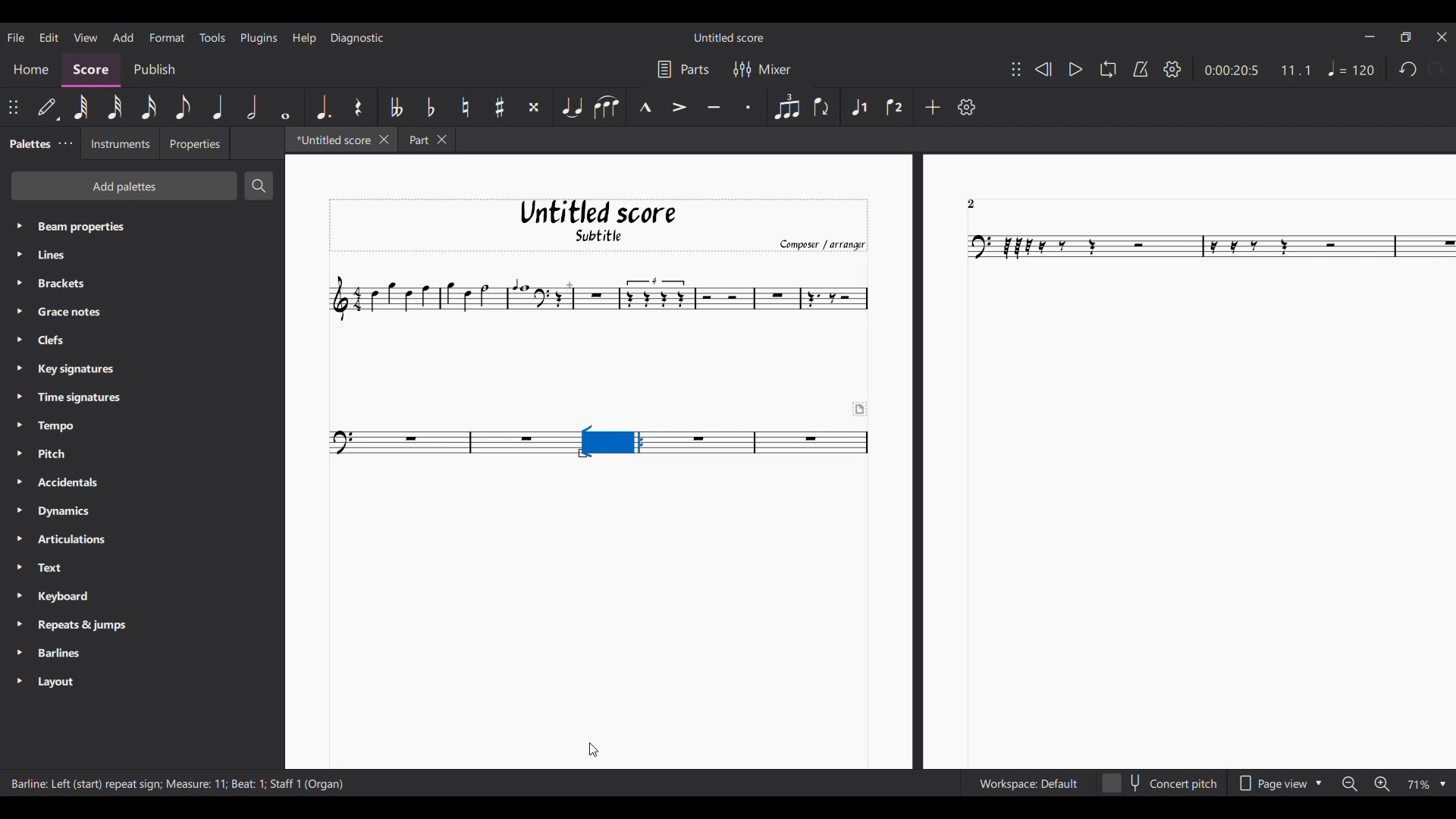  Describe the element at coordinates (643, 106) in the screenshot. I see `Marcato` at that location.